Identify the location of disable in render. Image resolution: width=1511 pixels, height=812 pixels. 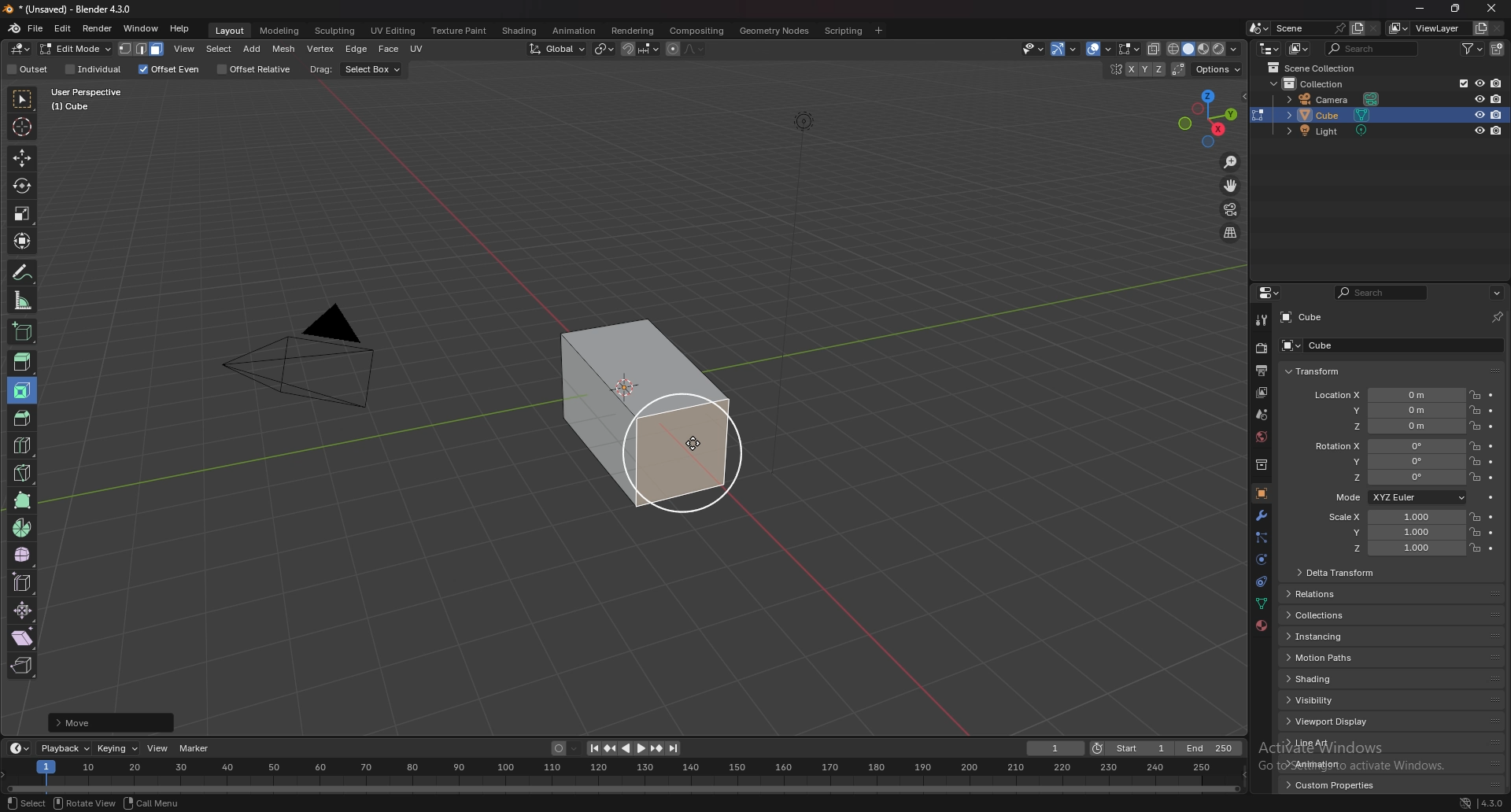
(1498, 131).